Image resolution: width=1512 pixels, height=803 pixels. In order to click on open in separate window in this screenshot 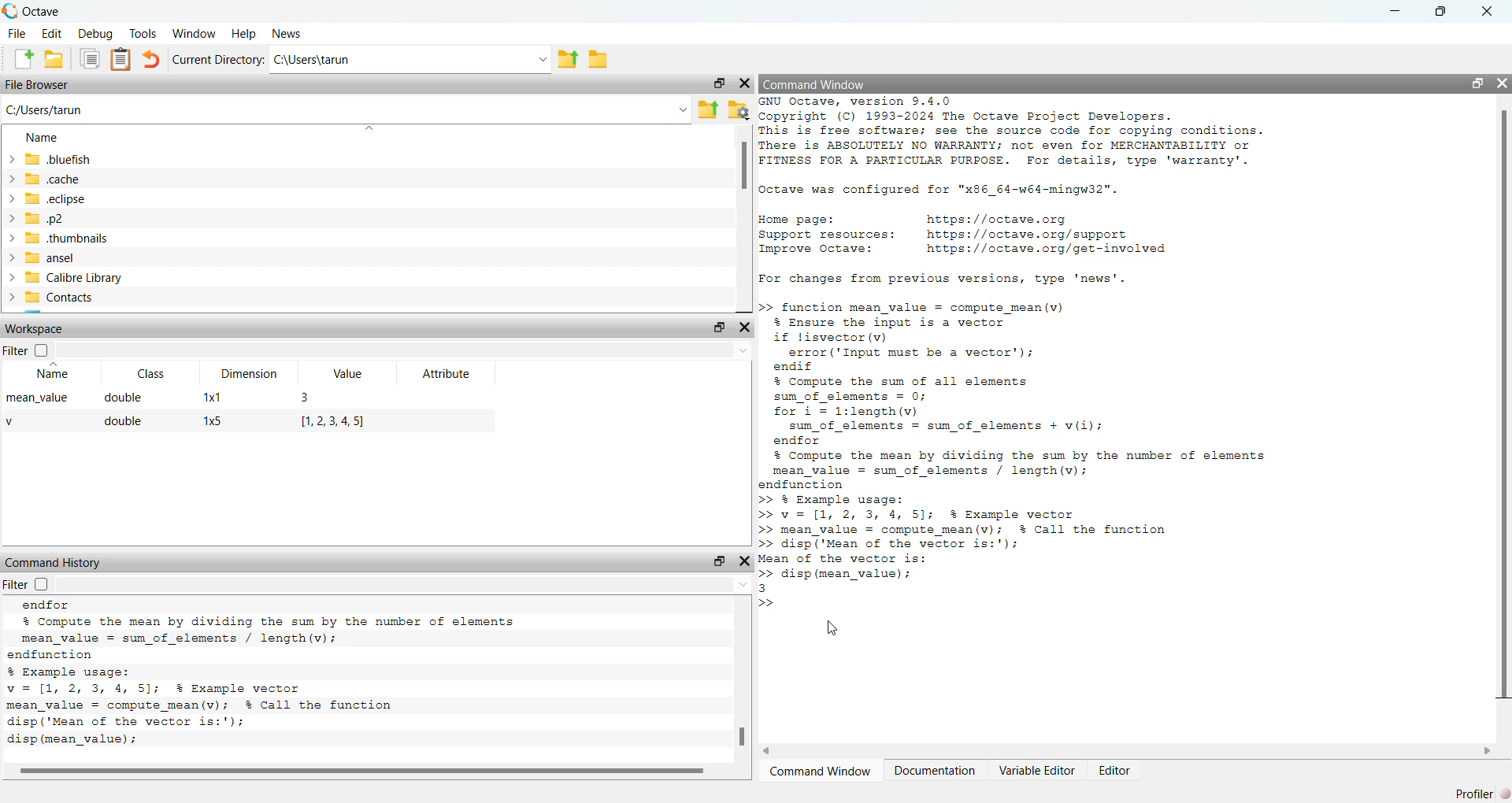, I will do `click(721, 561)`.